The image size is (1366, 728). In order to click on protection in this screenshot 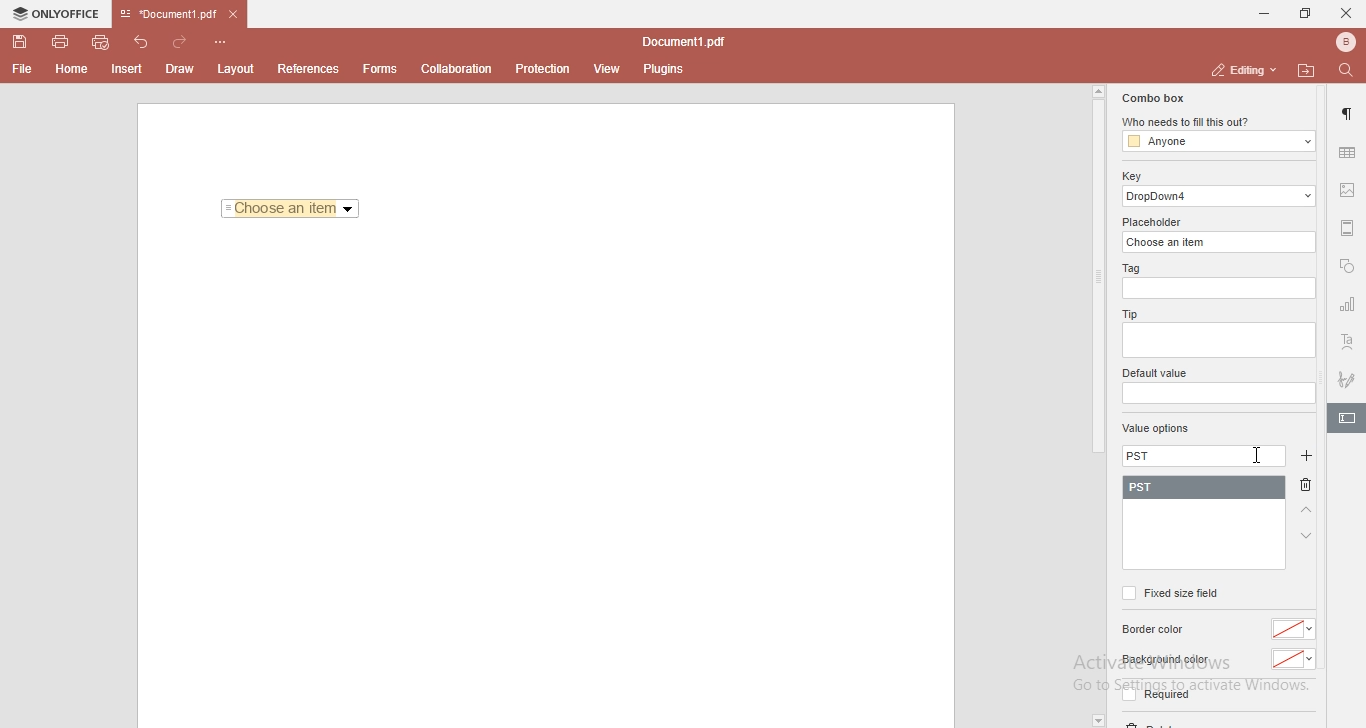, I will do `click(543, 68)`.